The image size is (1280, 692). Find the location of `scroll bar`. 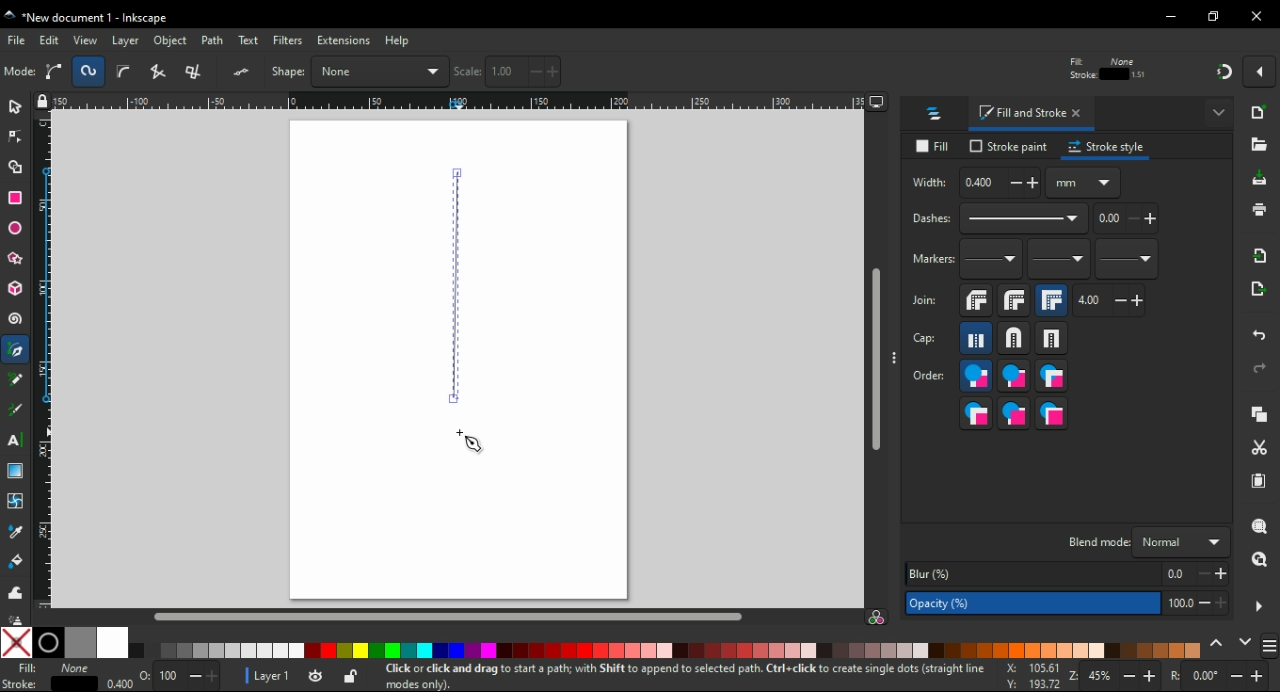

scroll bar is located at coordinates (452, 615).